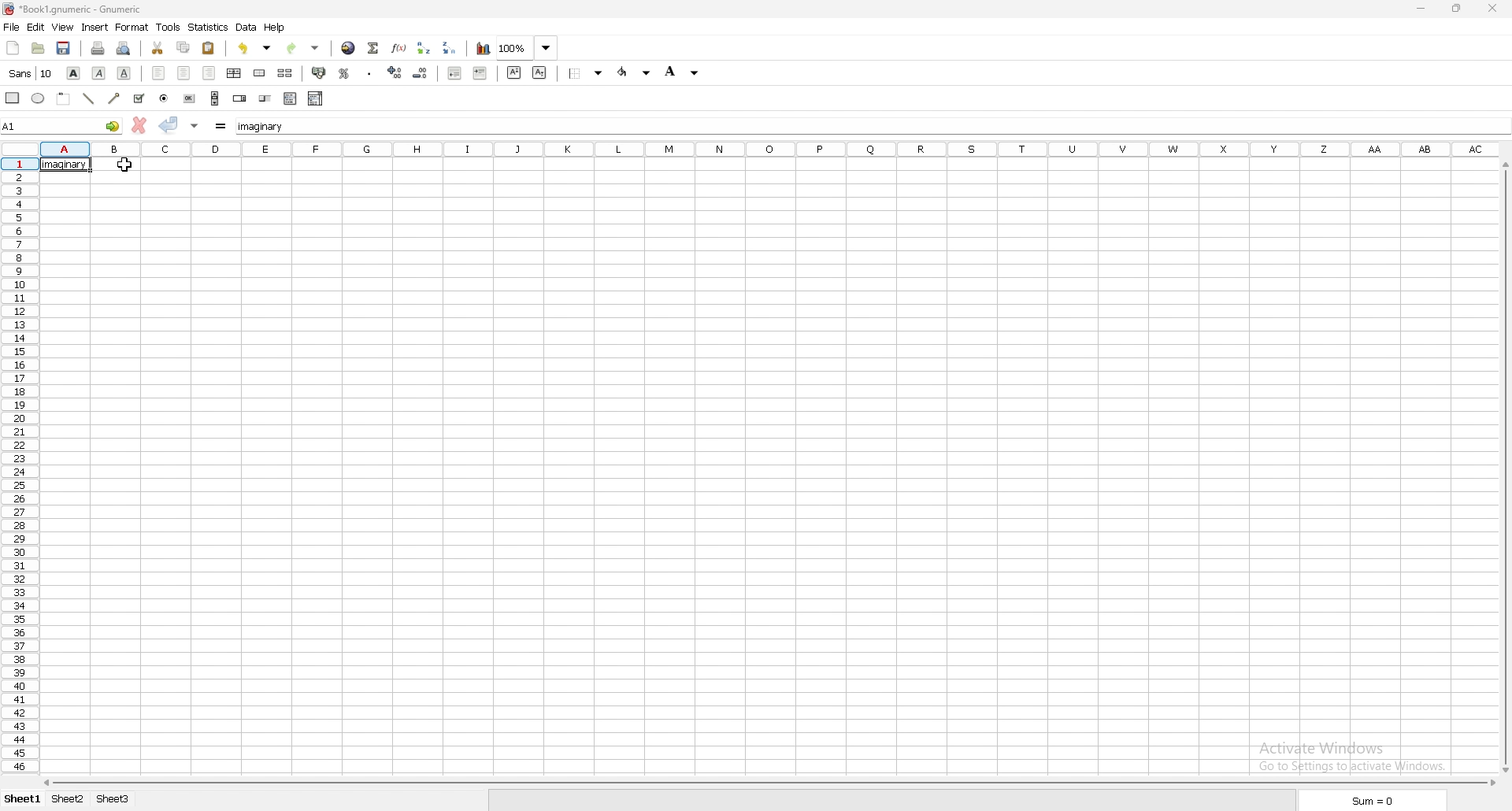  What do you see at coordinates (63, 27) in the screenshot?
I see `view` at bounding box center [63, 27].